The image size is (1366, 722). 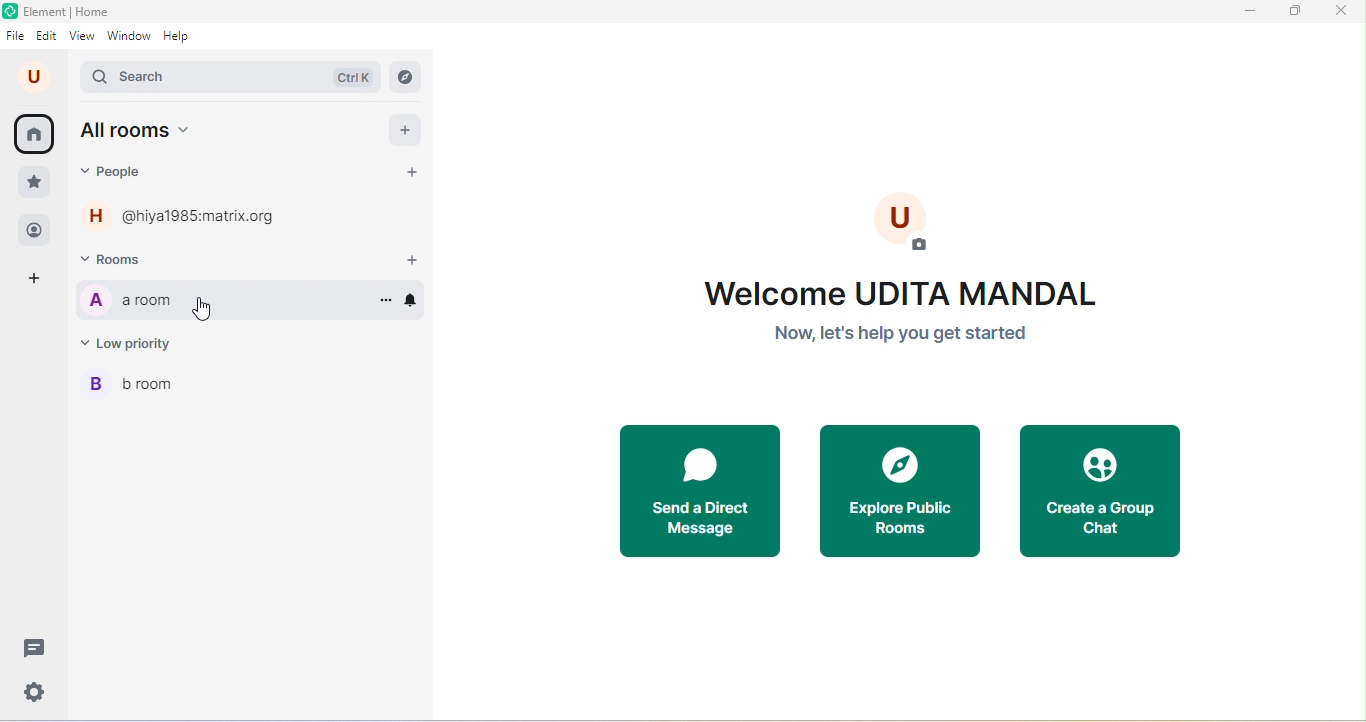 I want to click on add room, so click(x=405, y=255).